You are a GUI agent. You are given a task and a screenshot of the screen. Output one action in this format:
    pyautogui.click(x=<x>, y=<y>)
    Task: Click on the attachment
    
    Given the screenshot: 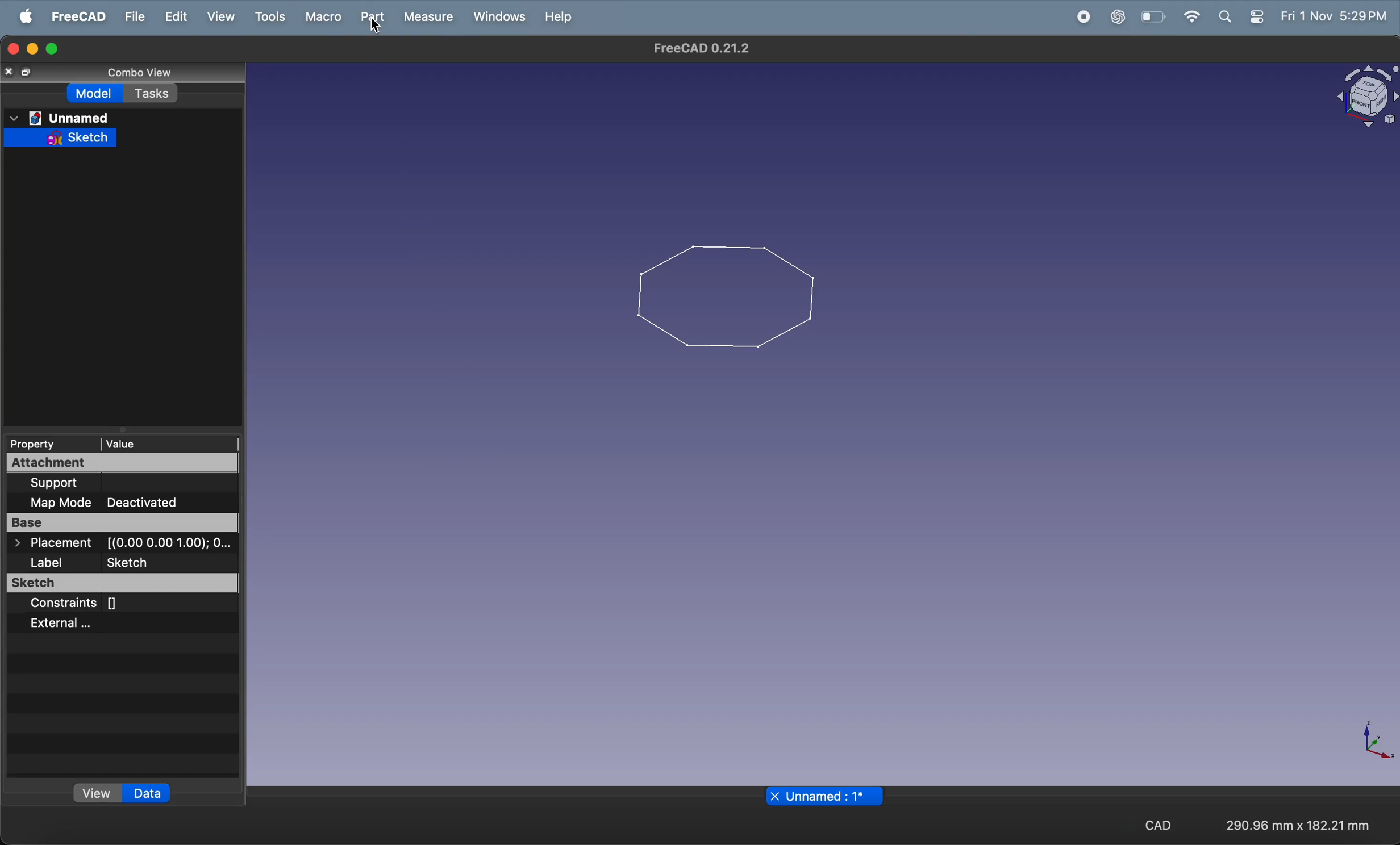 What is the action you would take?
    pyautogui.click(x=124, y=465)
    